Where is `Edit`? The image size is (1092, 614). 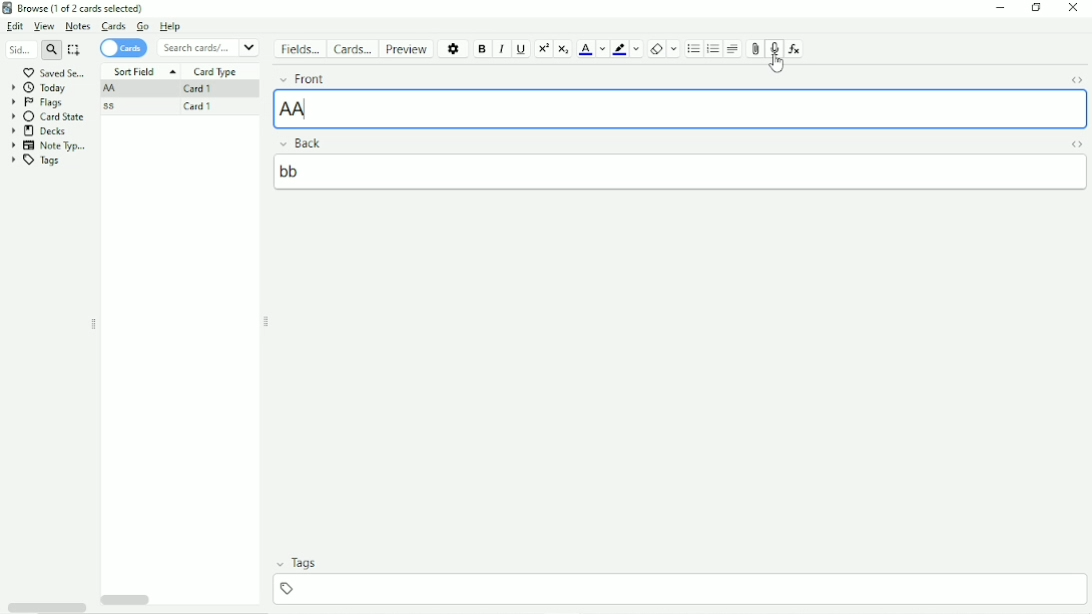
Edit is located at coordinates (15, 27).